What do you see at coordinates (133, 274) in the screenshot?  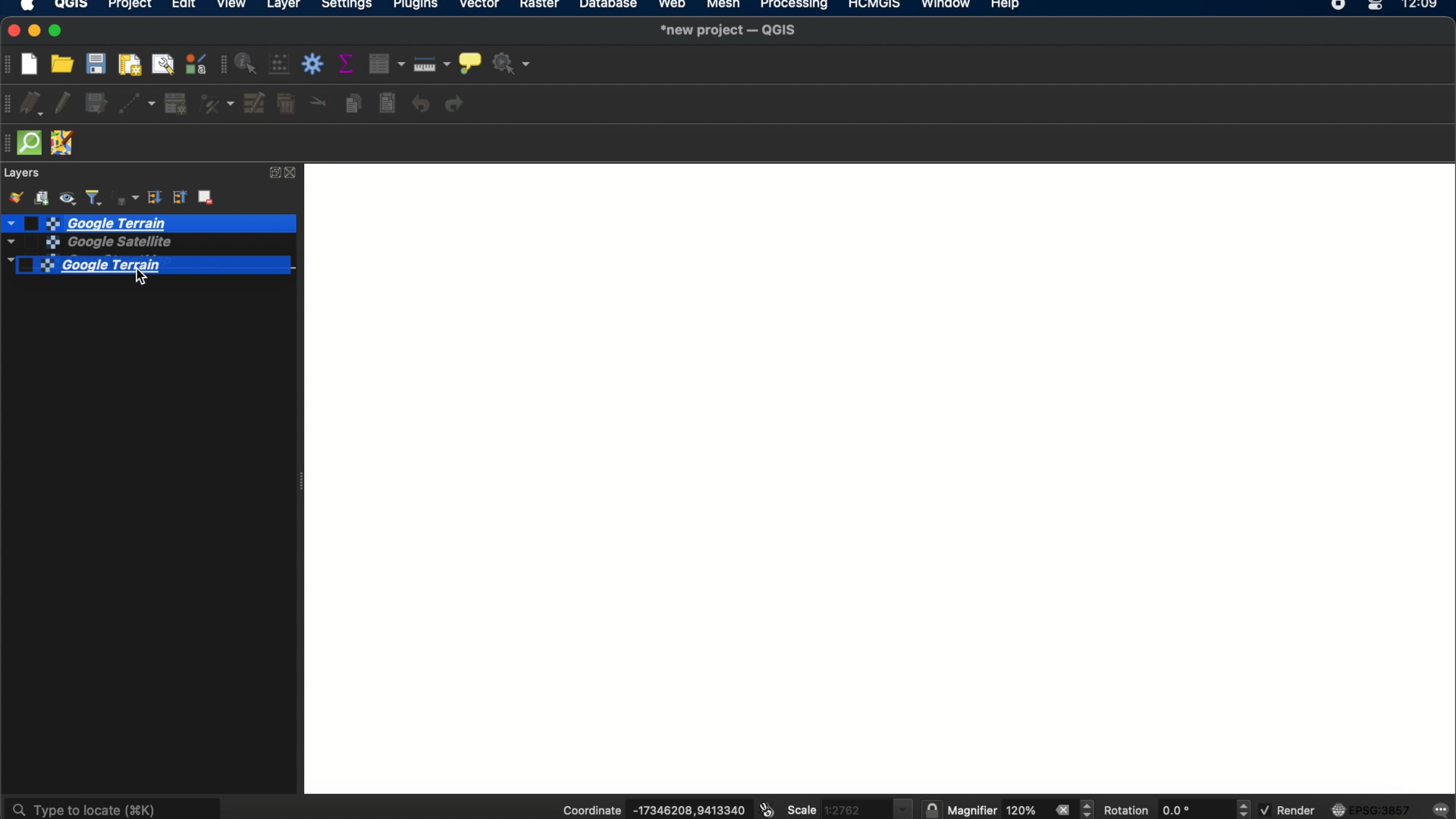 I see `cursor` at bounding box center [133, 274].